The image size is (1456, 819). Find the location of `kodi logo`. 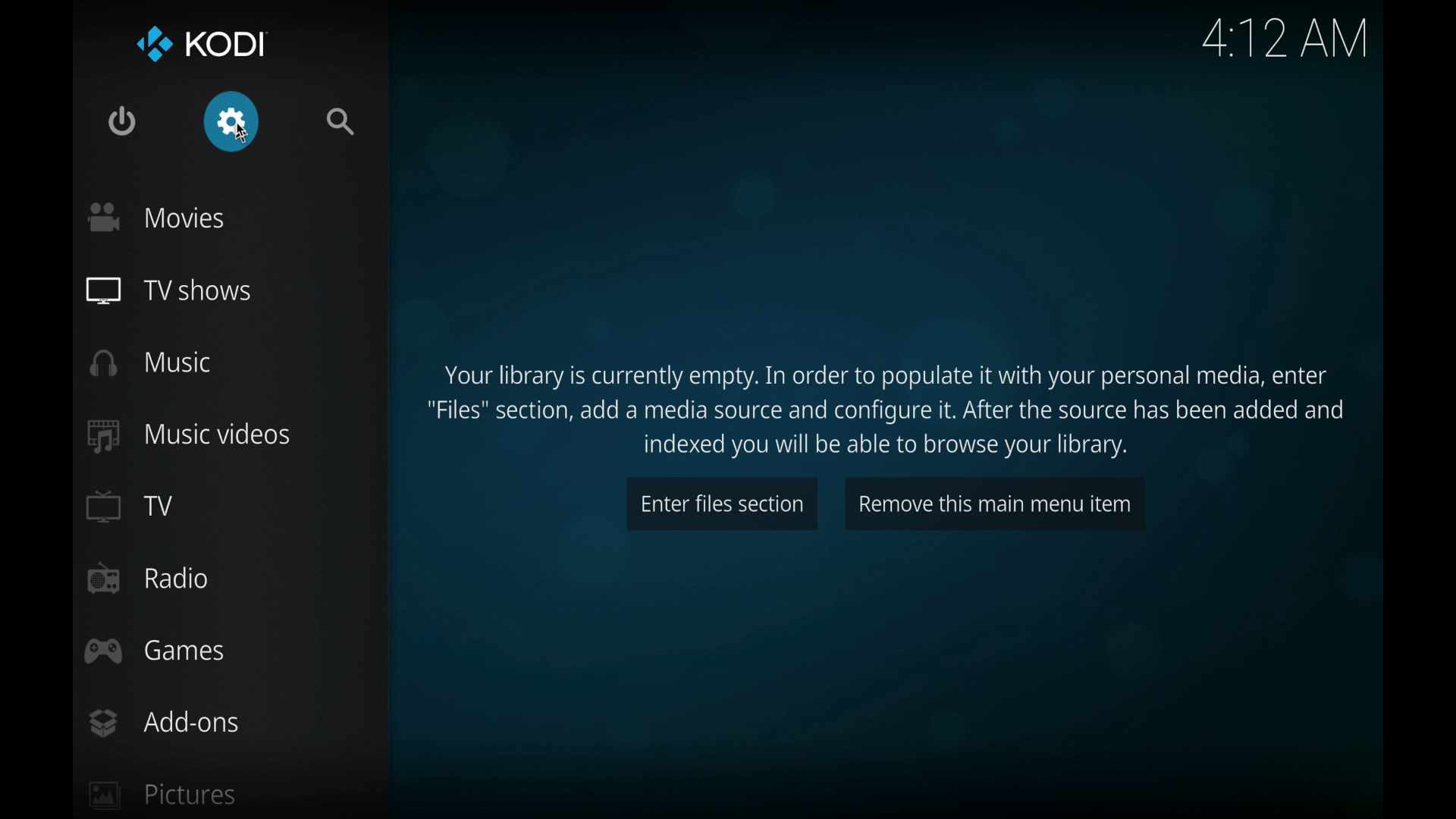

kodi logo is located at coordinates (153, 45).